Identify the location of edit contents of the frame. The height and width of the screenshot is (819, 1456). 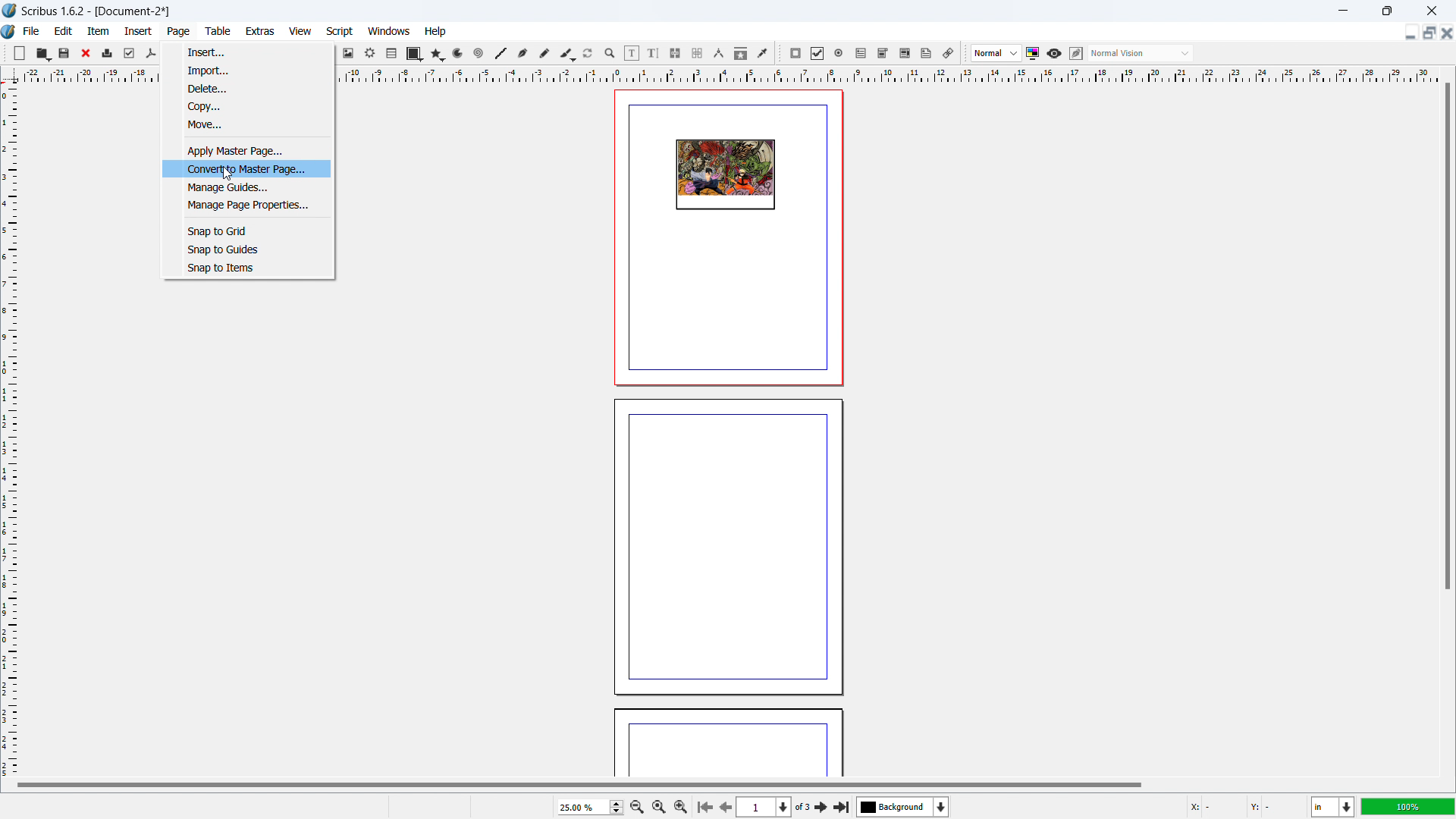
(632, 54).